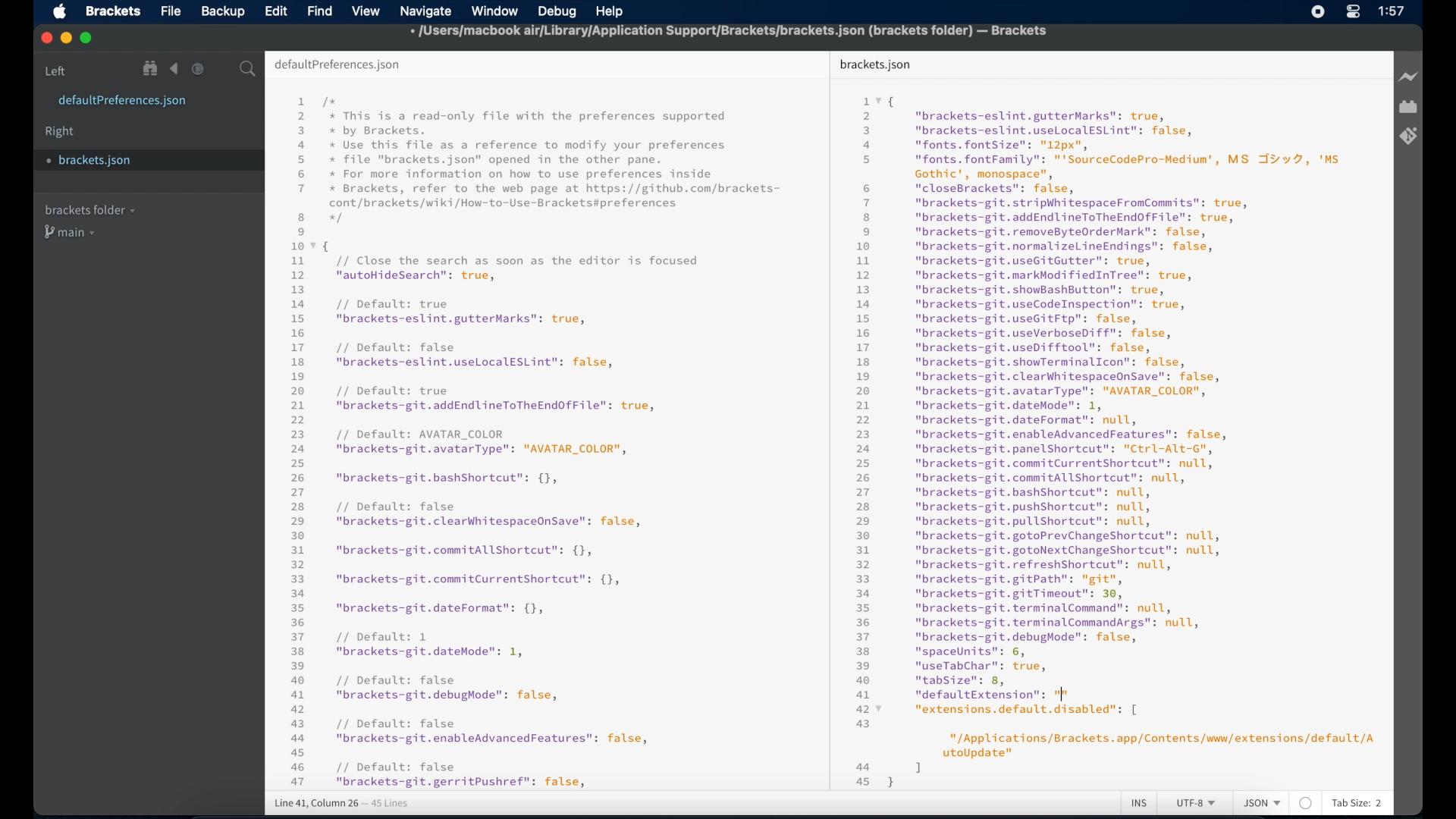 The width and height of the screenshot is (1456, 819). What do you see at coordinates (1407, 77) in the screenshot?
I see `live preview` at bounding box center [1407, 77].